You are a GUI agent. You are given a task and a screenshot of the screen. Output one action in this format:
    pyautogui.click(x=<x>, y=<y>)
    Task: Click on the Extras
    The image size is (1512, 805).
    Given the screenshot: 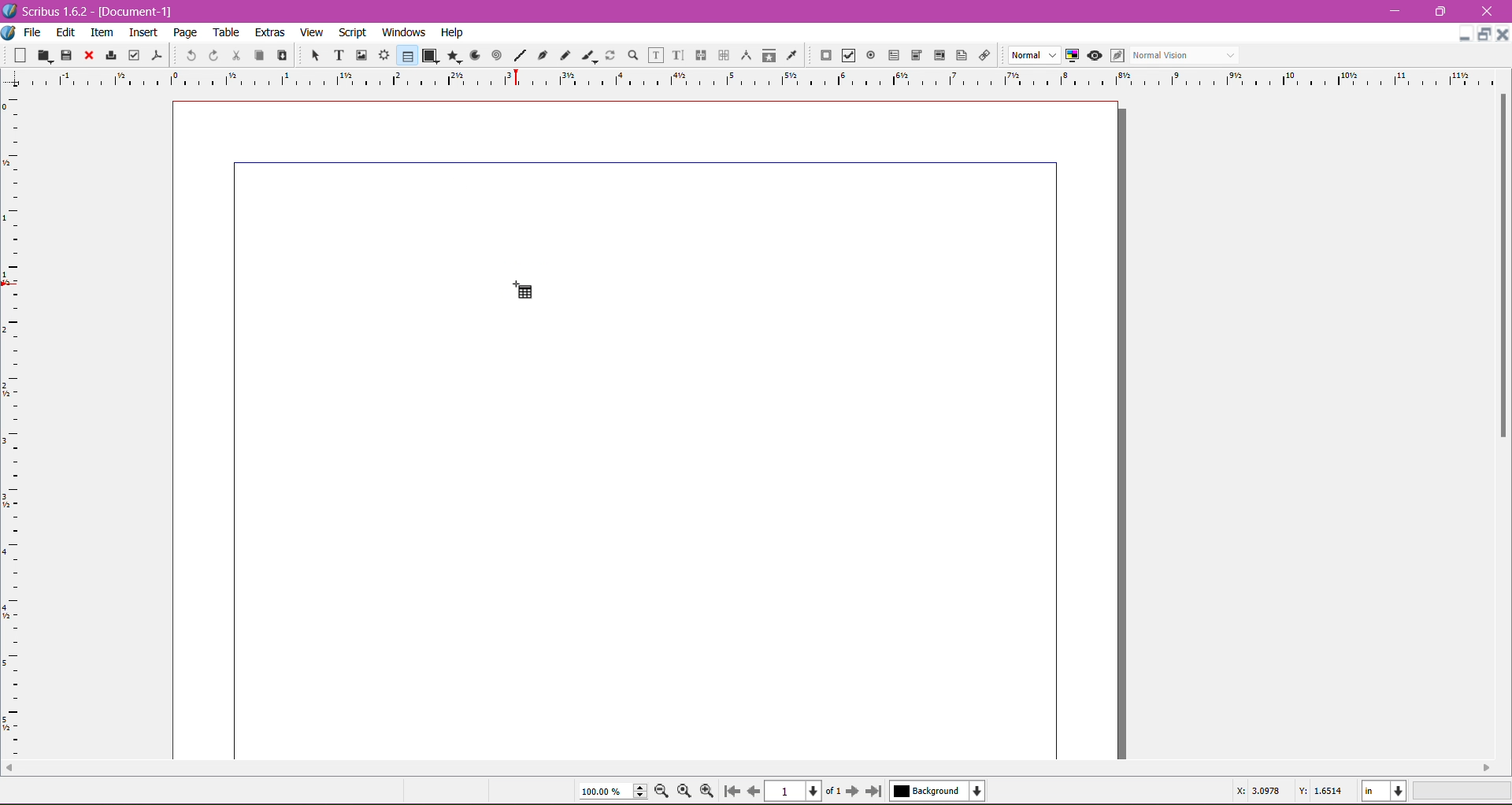 What is the action you would take?
    pyautogui.click(x=270, y=32)
    